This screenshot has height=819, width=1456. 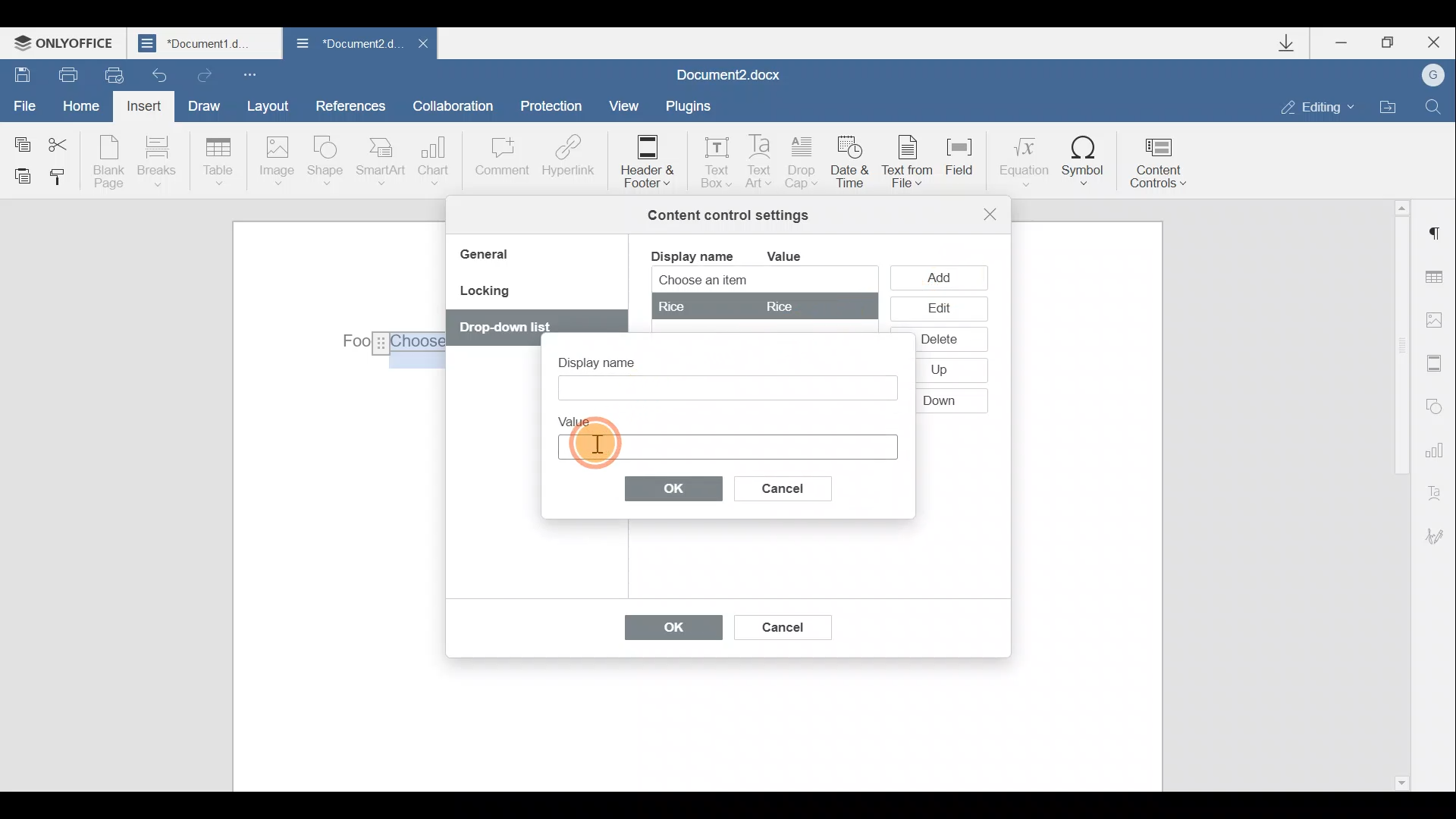 I want to click on Display name, so click(x=610, y=358).